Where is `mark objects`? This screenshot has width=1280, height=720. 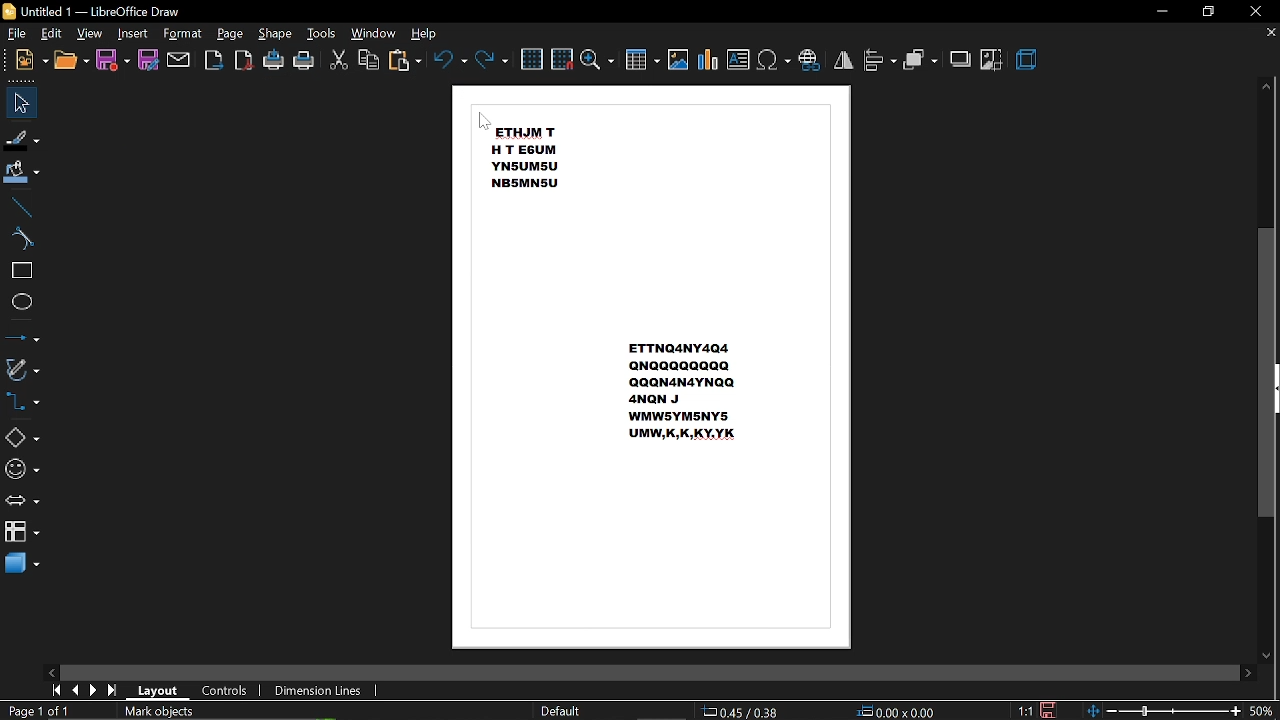 mark objects is located at coordinates (192, 711).